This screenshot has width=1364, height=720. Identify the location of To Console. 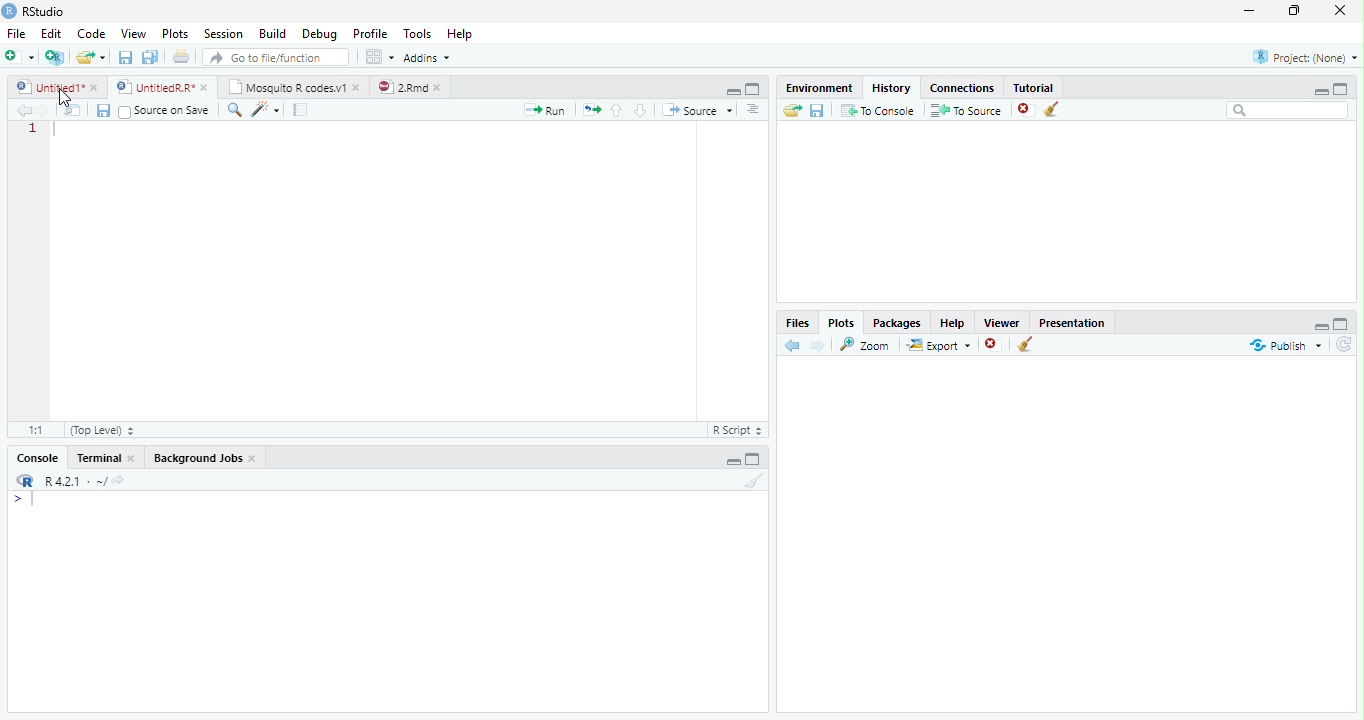
(877, 110).